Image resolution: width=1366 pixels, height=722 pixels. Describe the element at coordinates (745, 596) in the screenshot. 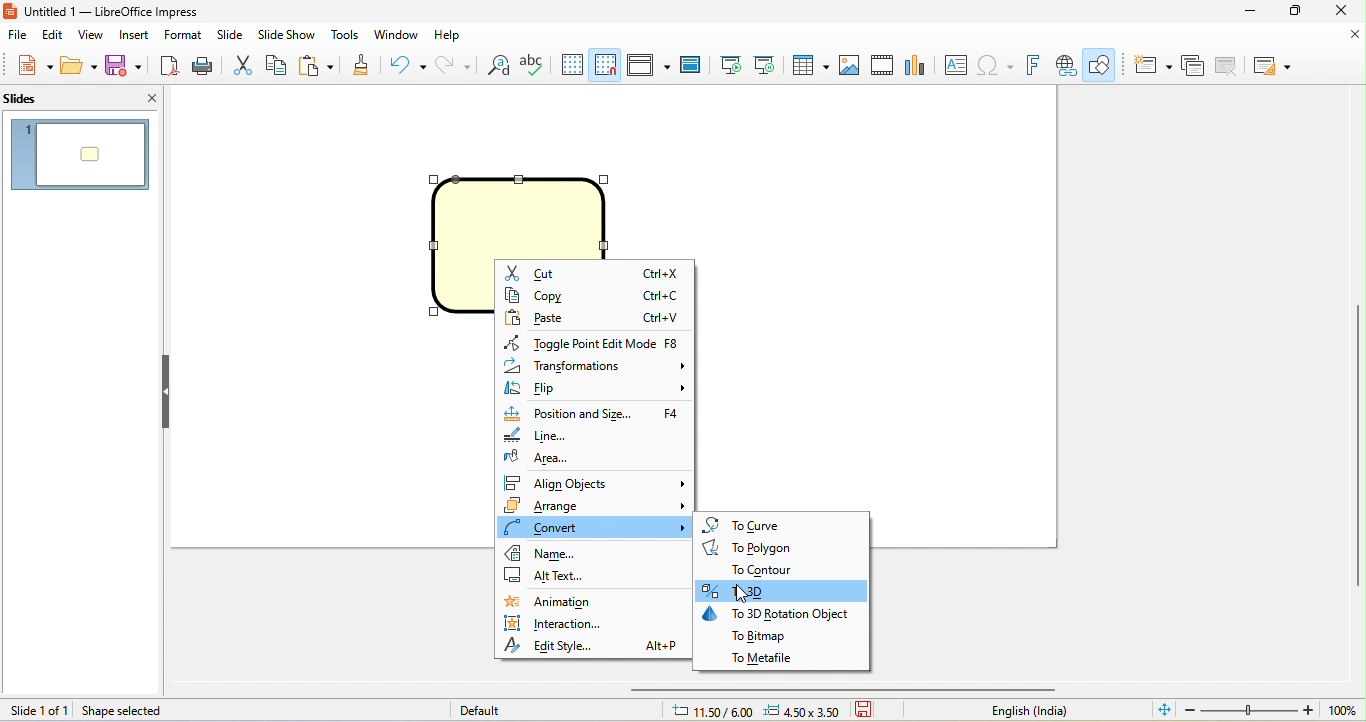

I see `cursor movement` at that location.